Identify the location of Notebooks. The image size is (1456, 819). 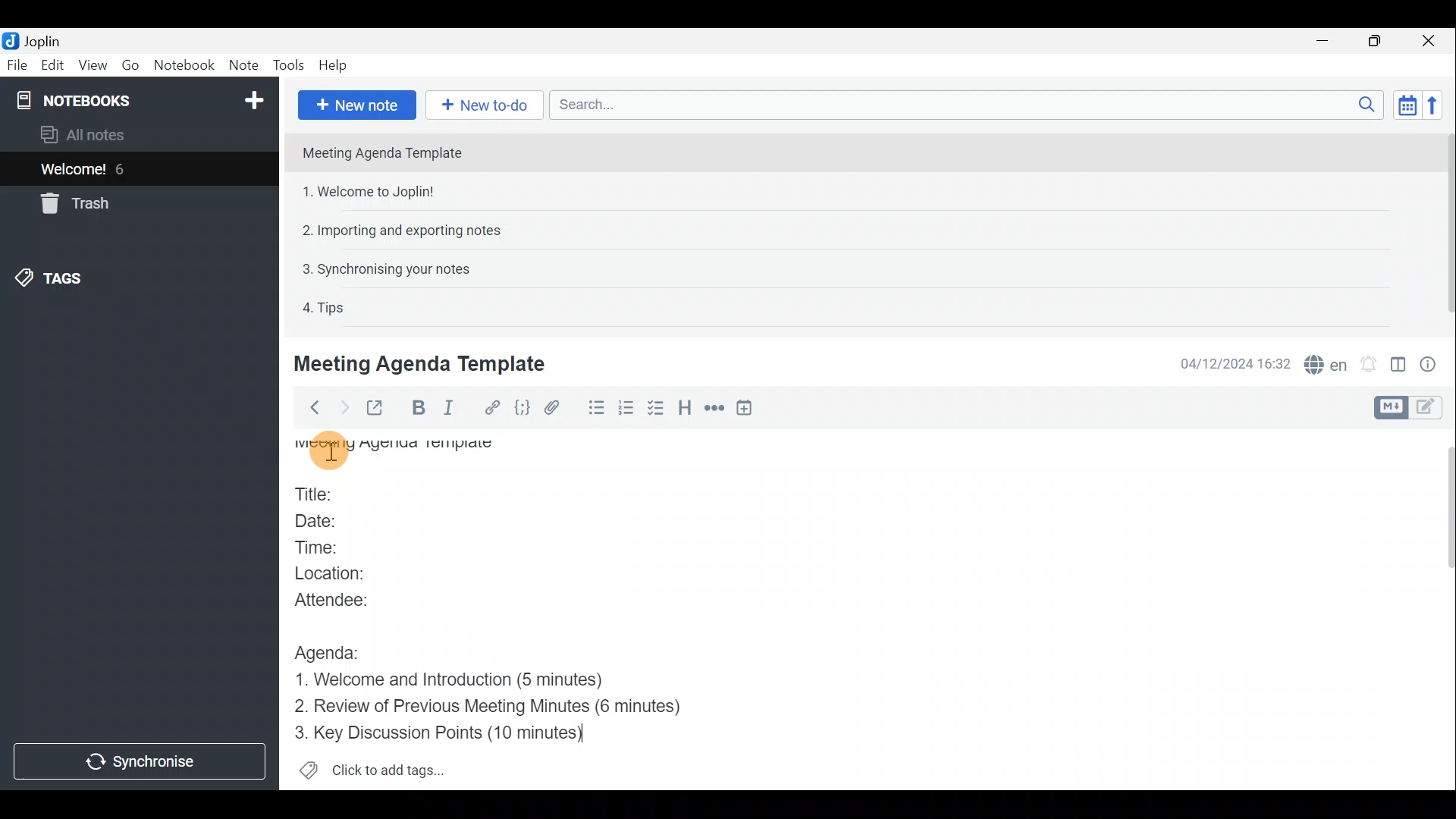
(142, 99).